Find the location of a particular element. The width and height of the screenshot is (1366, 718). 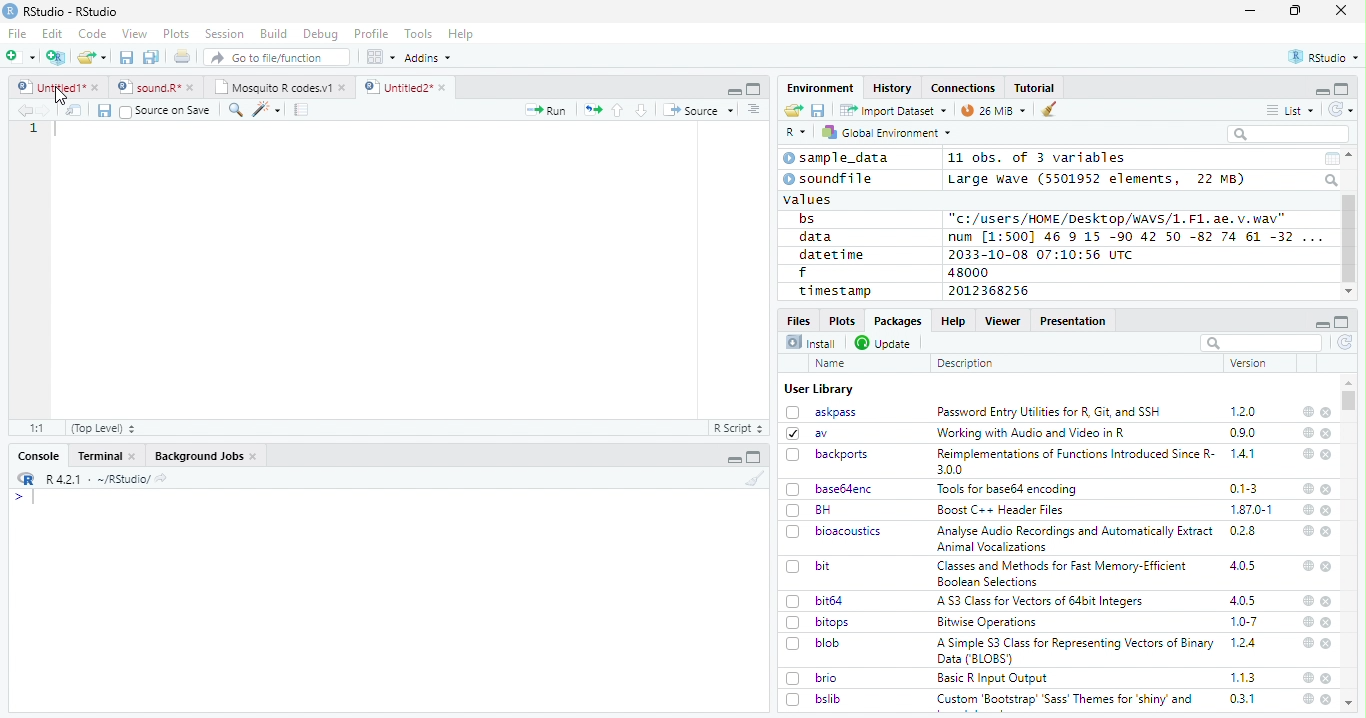

bit64 is located at coordinates (815, 601).